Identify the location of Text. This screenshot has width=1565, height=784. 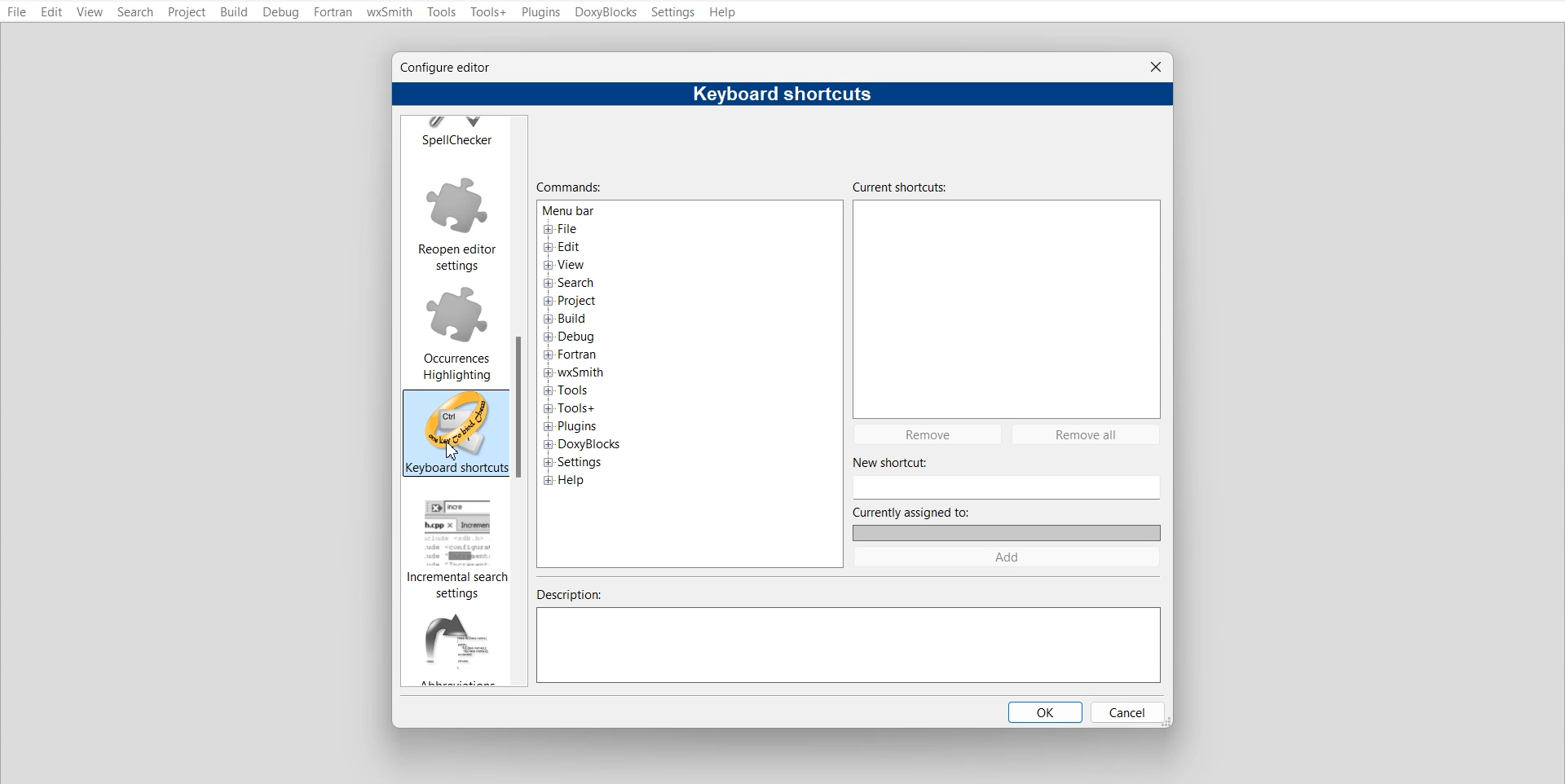
(782, 95).